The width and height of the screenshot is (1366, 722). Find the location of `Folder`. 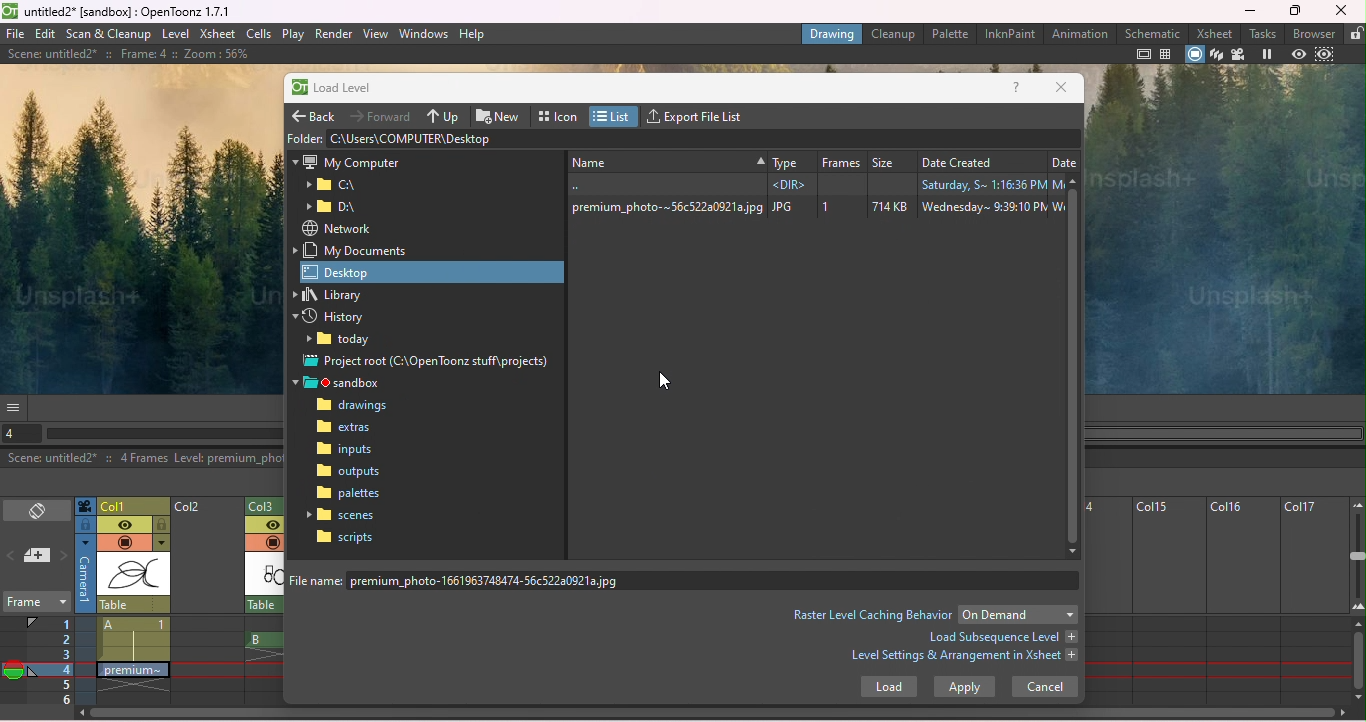

Folder is located at coordinates (337, 207).